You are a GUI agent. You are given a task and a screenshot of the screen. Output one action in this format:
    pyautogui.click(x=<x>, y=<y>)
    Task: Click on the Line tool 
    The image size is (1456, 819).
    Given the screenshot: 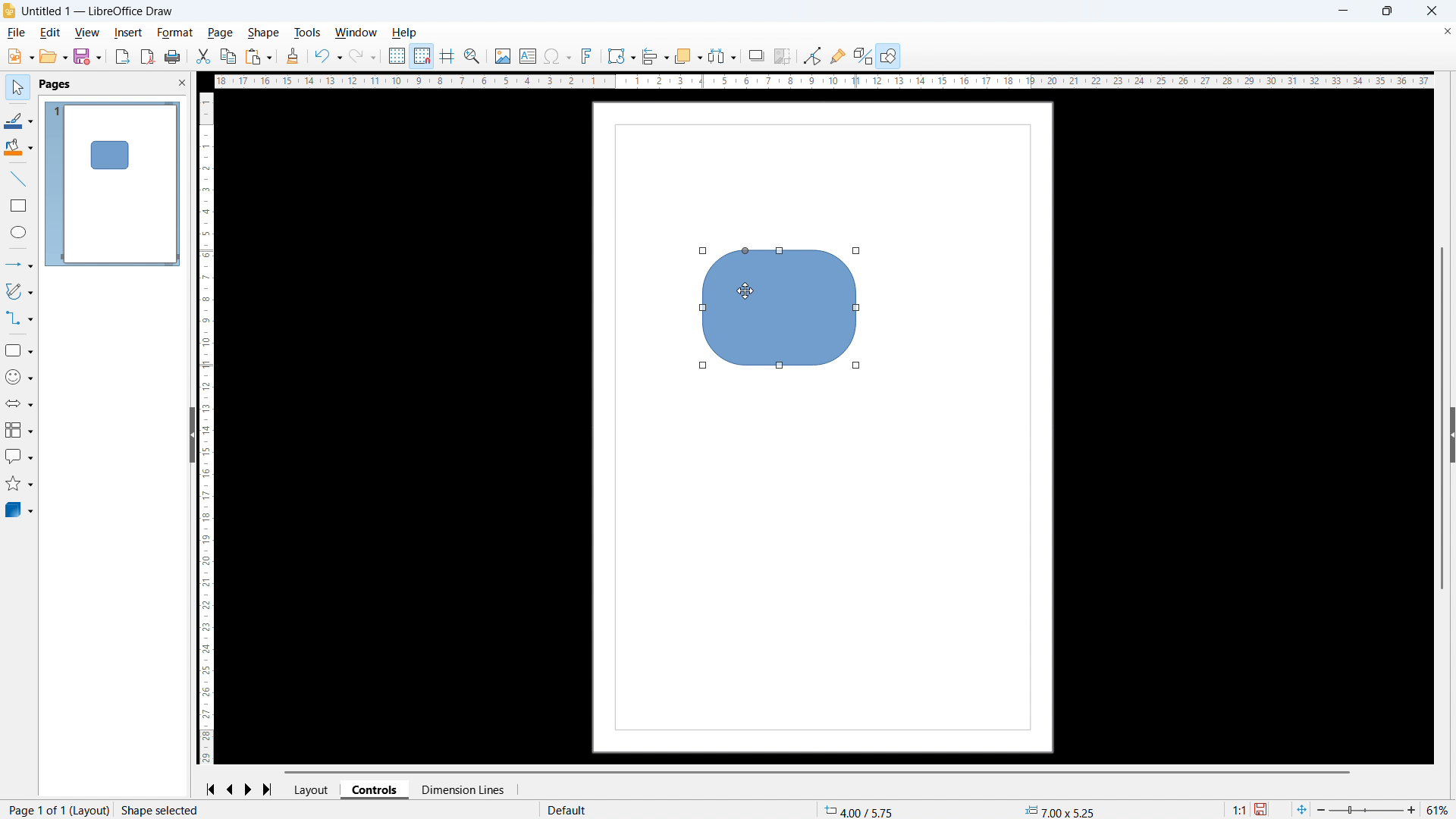 What is the action you would take?
    pyautogui.click(x=17, y=179)
    